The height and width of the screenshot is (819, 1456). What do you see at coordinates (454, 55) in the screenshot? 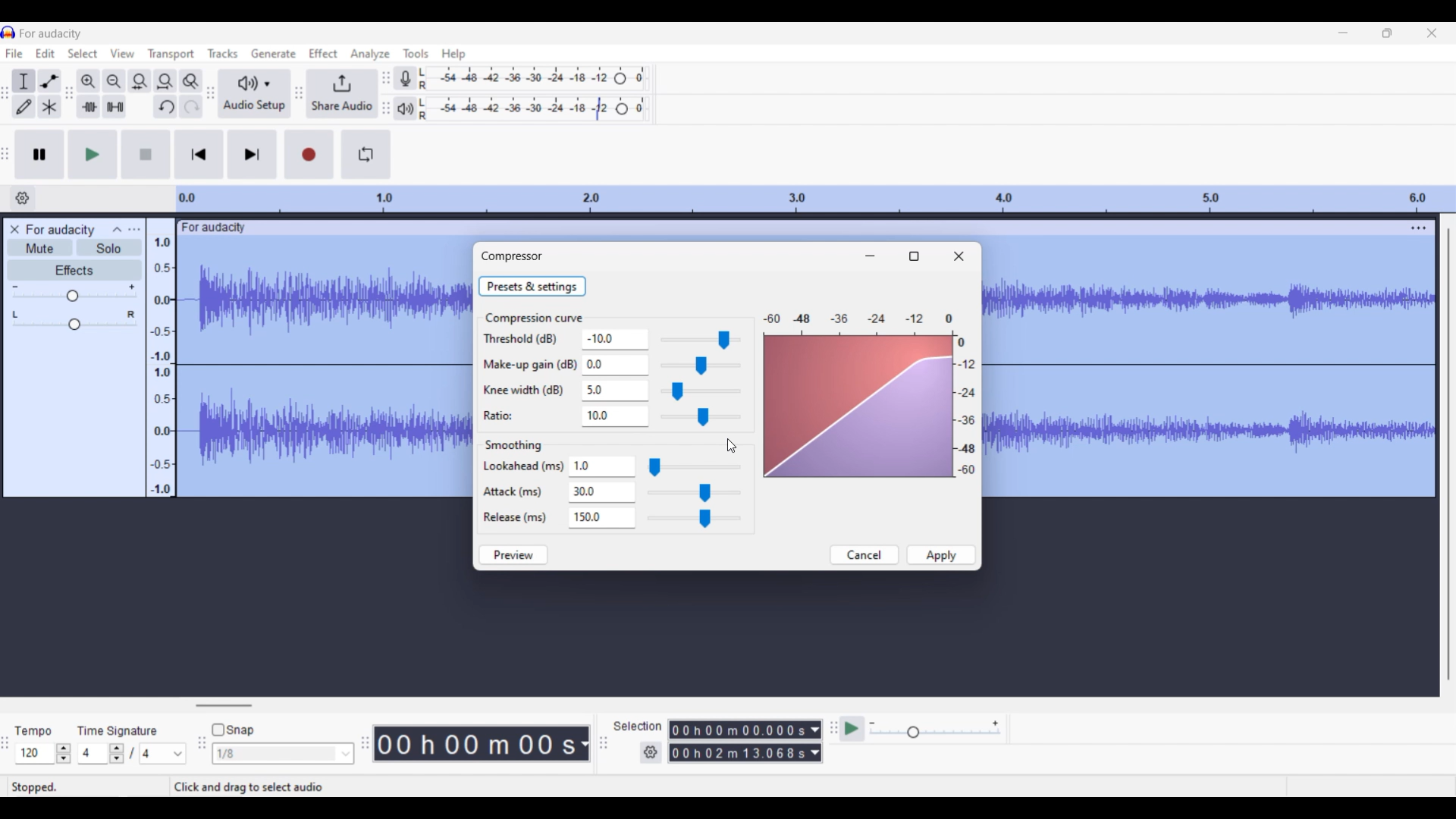
I see `Help` at bounding box center [454, 55].